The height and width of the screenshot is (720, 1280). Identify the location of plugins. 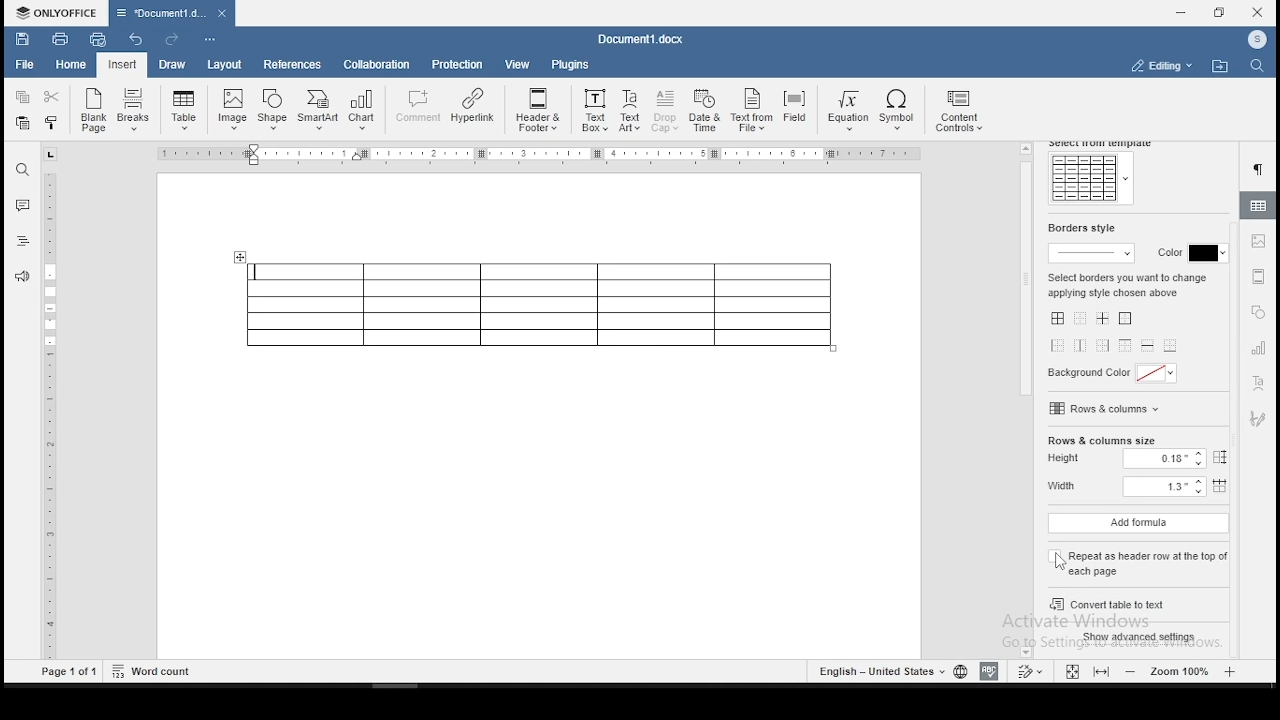
(571, 64).